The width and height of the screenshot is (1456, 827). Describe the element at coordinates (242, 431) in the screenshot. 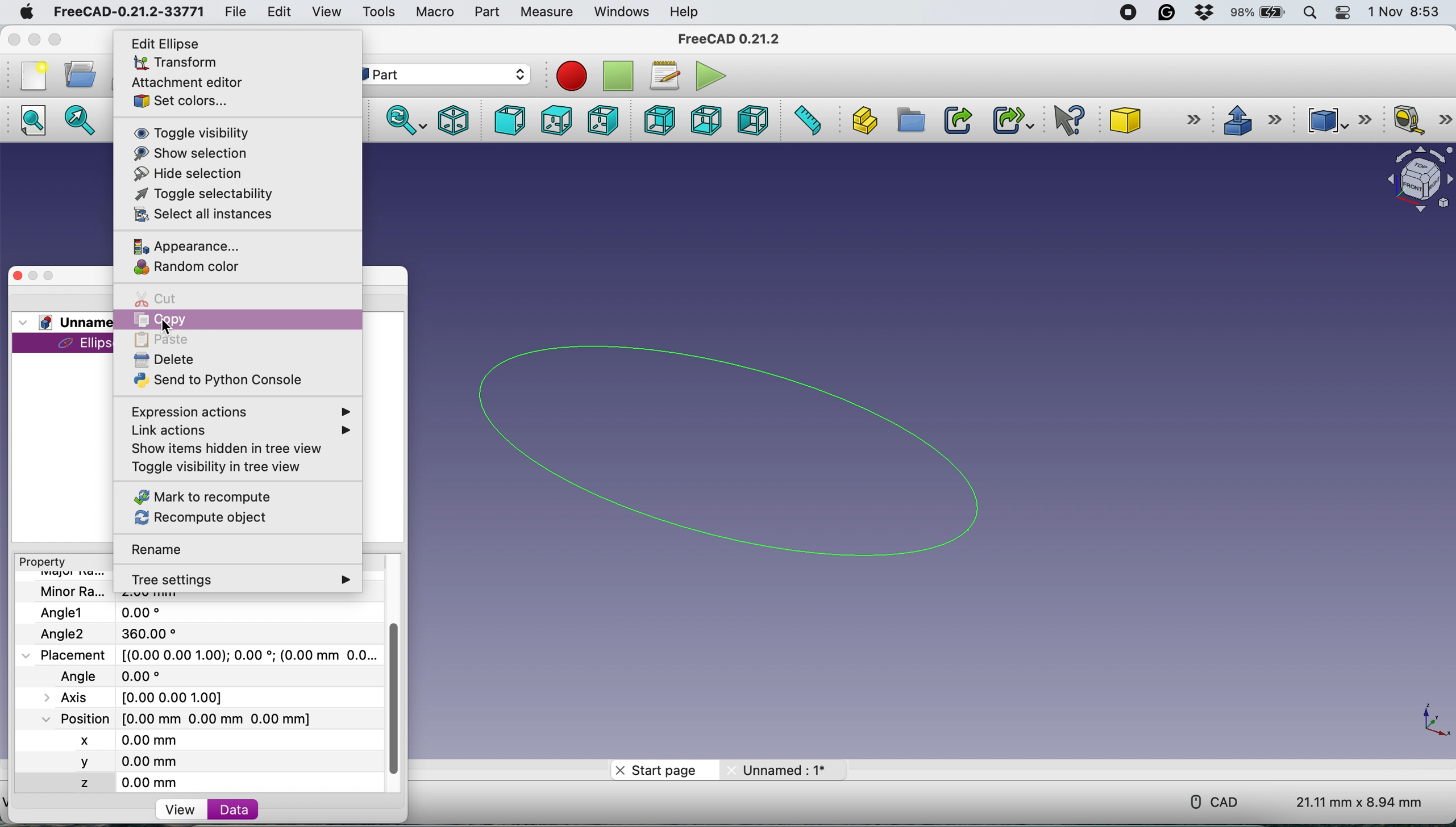

I see `link actions` at that location.